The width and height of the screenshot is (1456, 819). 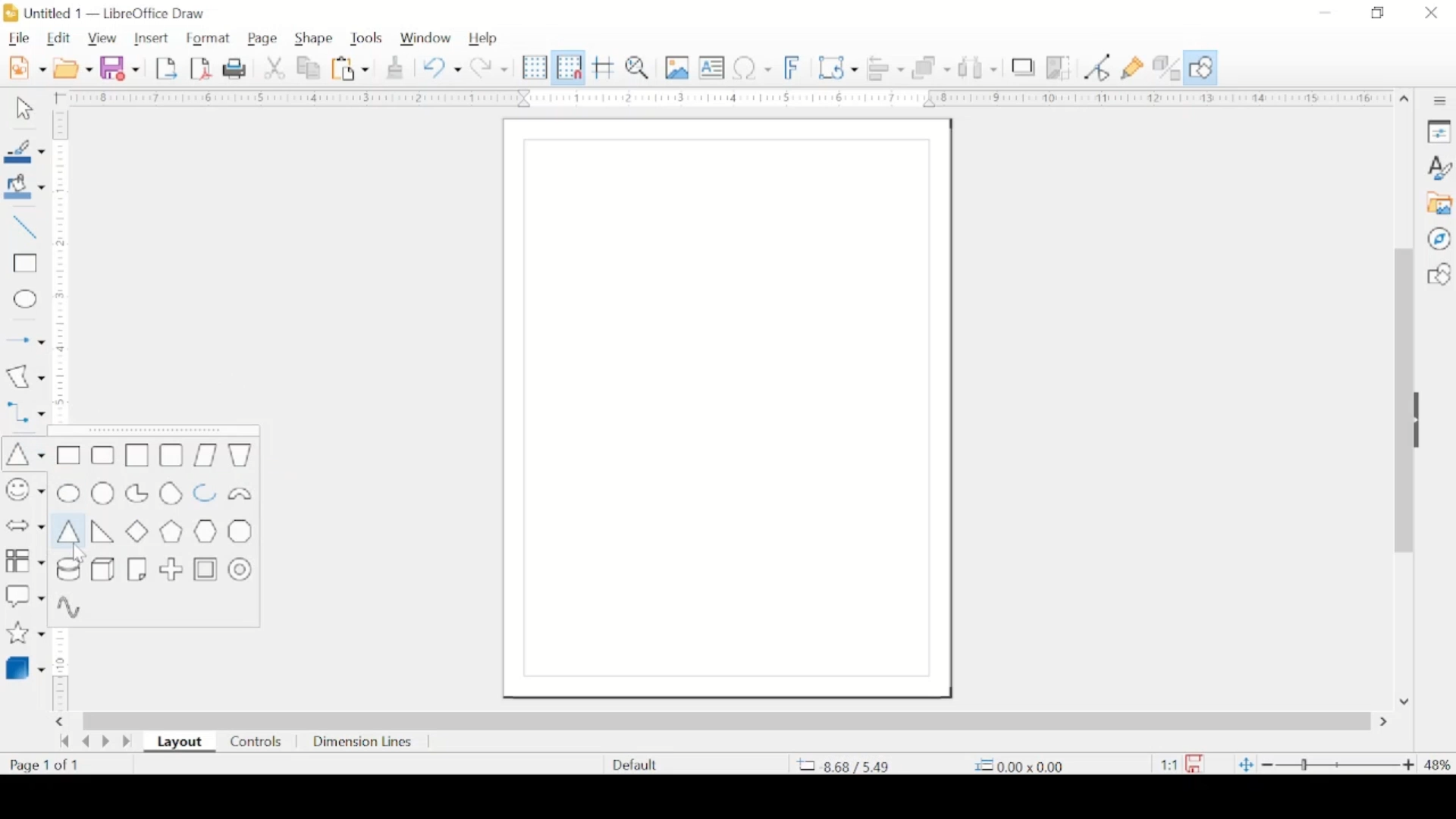 What do you see at coordinates (1132, 68) in the screenshot?
I see `show gluepoint functions` at bounding box center [1132, 68].